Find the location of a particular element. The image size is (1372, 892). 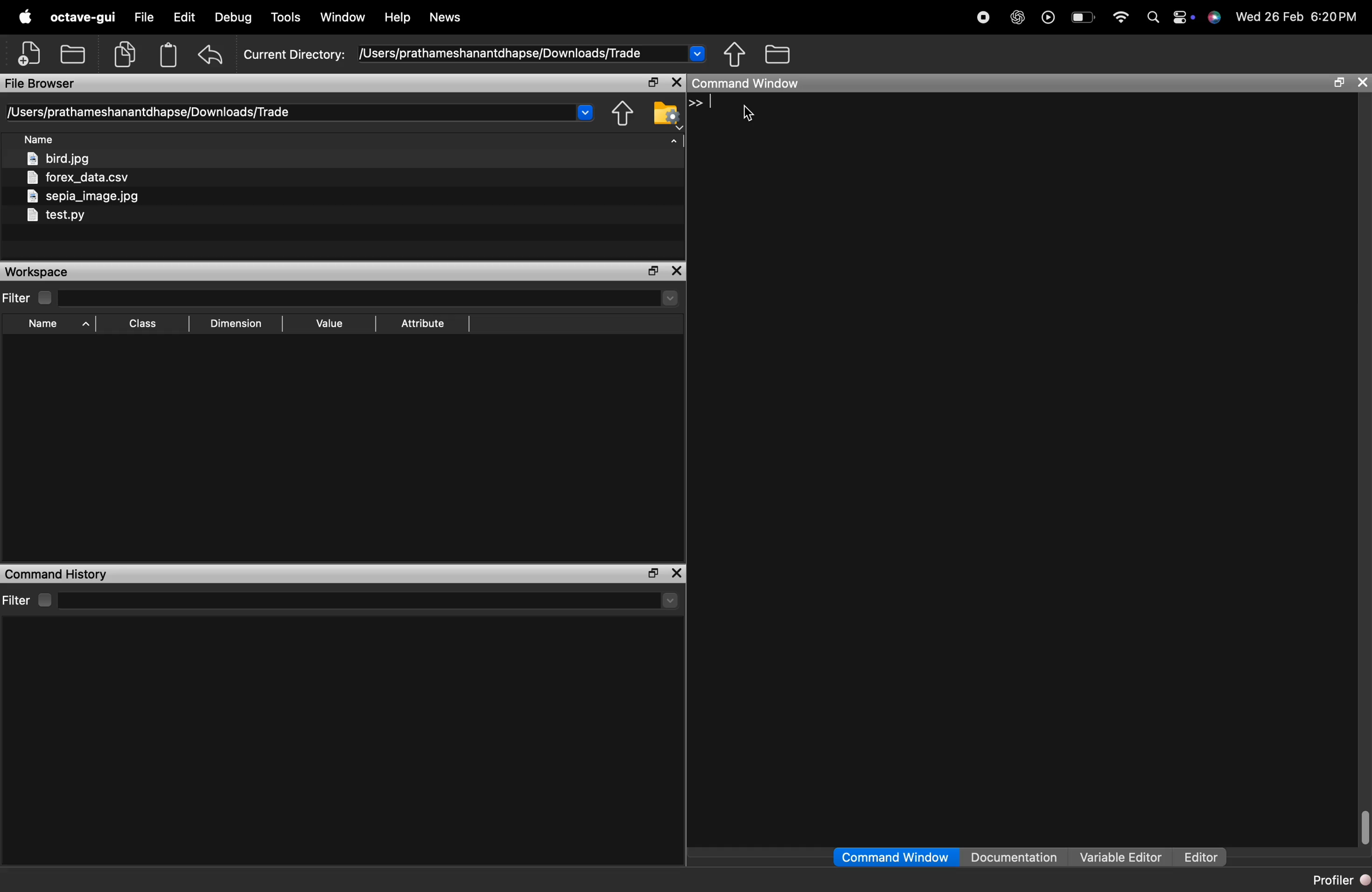

apple menu is located at coordinates (24, 16).